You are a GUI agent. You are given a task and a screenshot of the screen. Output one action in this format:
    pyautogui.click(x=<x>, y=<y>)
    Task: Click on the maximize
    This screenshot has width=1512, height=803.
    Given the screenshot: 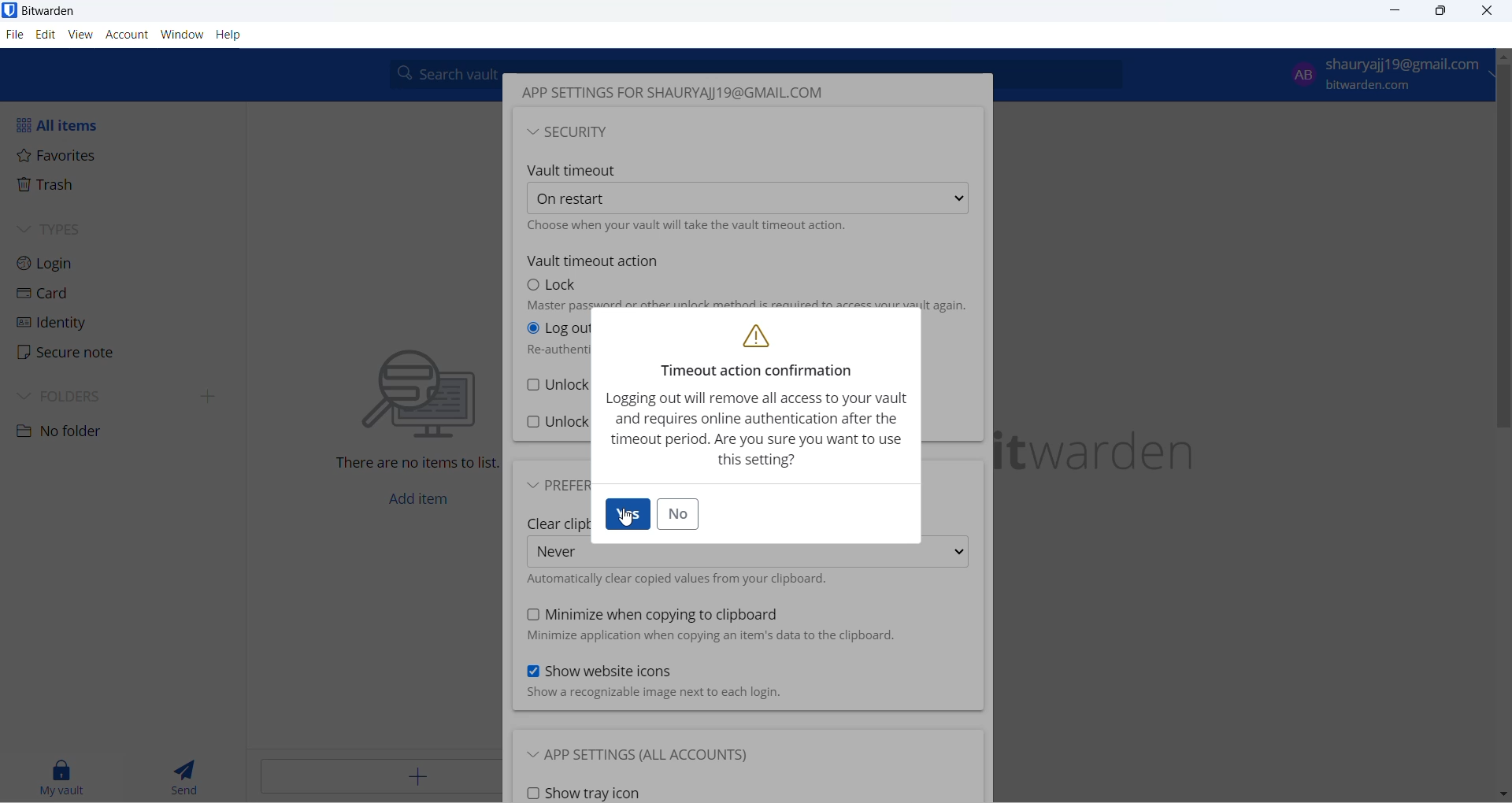 What is the action you would take?
    pyautogui.click(x=1440, y=13)
    